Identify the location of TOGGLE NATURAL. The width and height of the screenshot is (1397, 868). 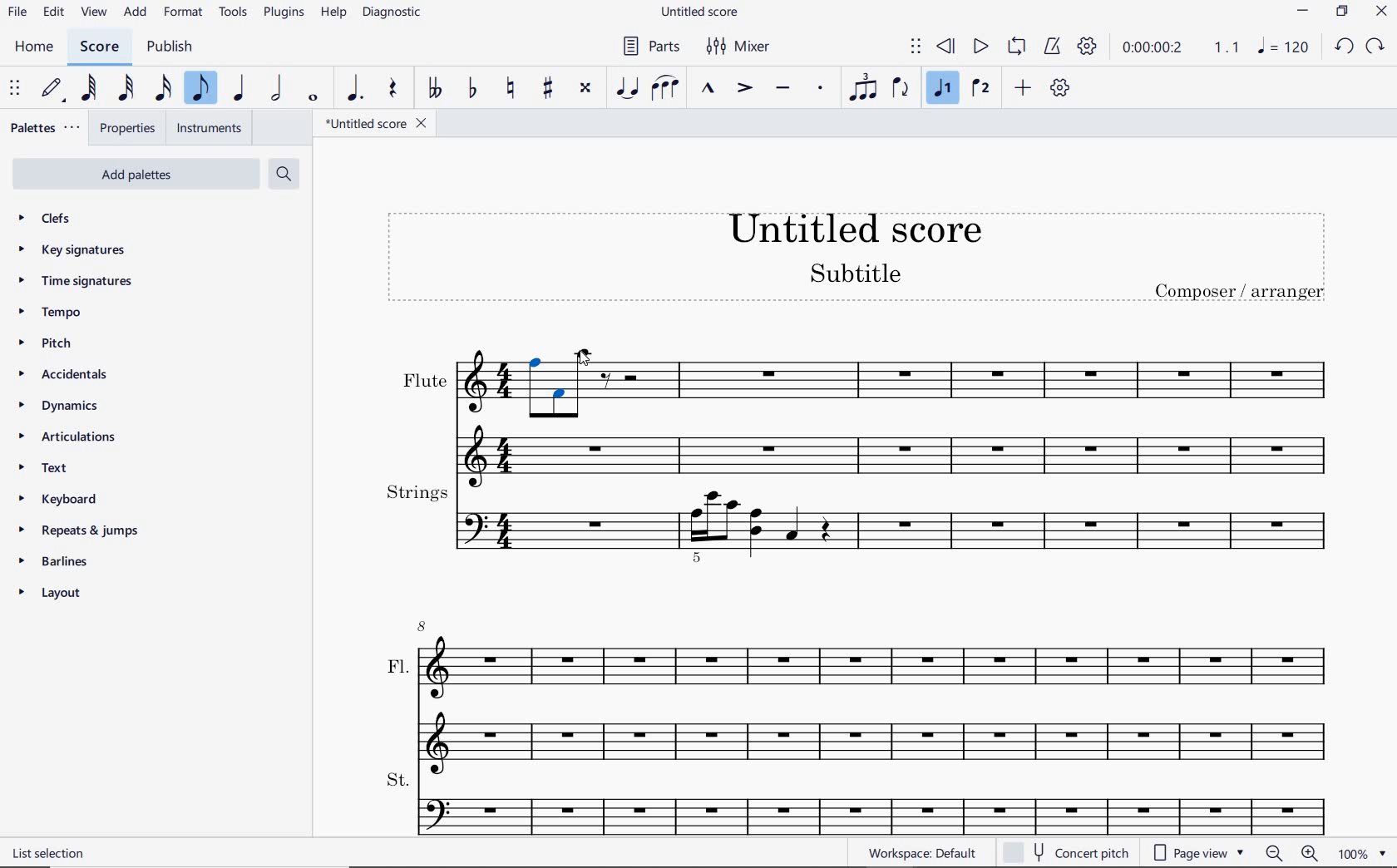
(511, 89).